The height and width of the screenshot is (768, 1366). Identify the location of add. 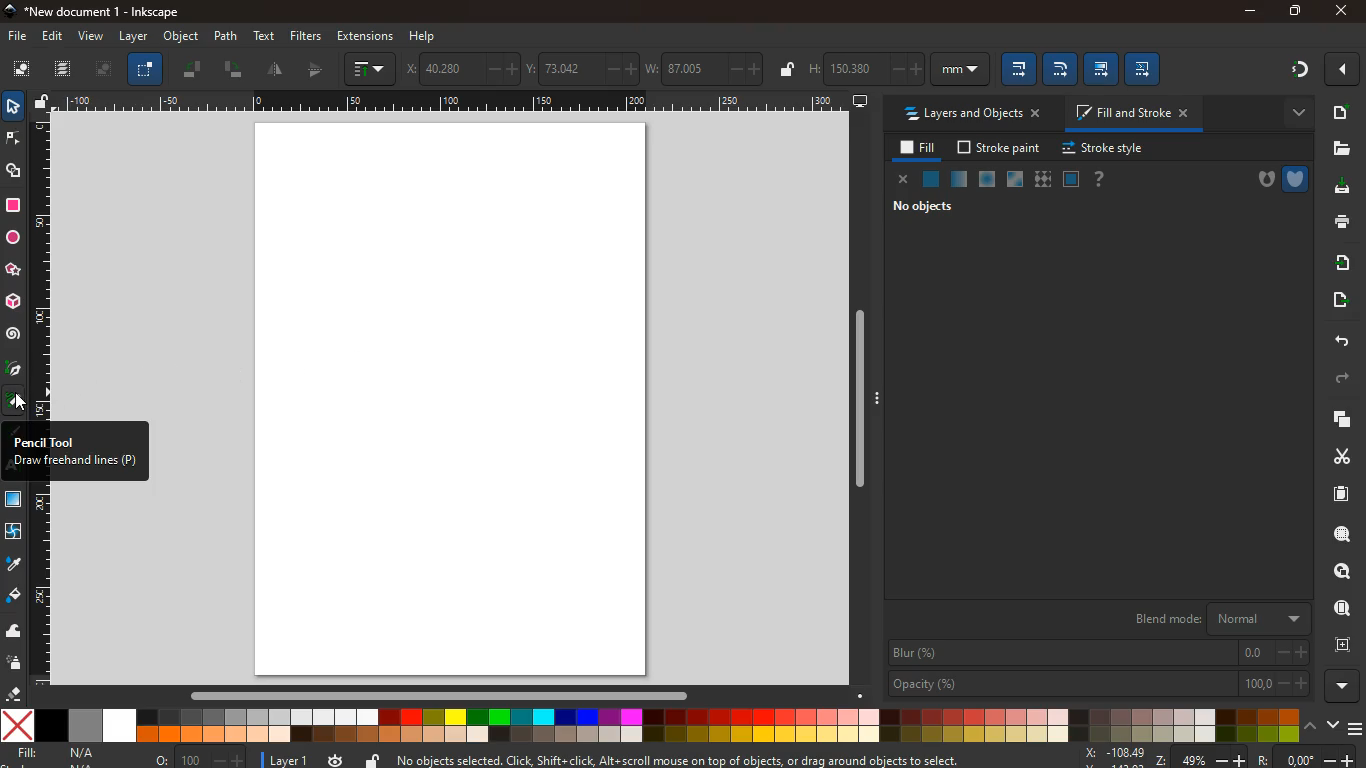
(1340, 112).